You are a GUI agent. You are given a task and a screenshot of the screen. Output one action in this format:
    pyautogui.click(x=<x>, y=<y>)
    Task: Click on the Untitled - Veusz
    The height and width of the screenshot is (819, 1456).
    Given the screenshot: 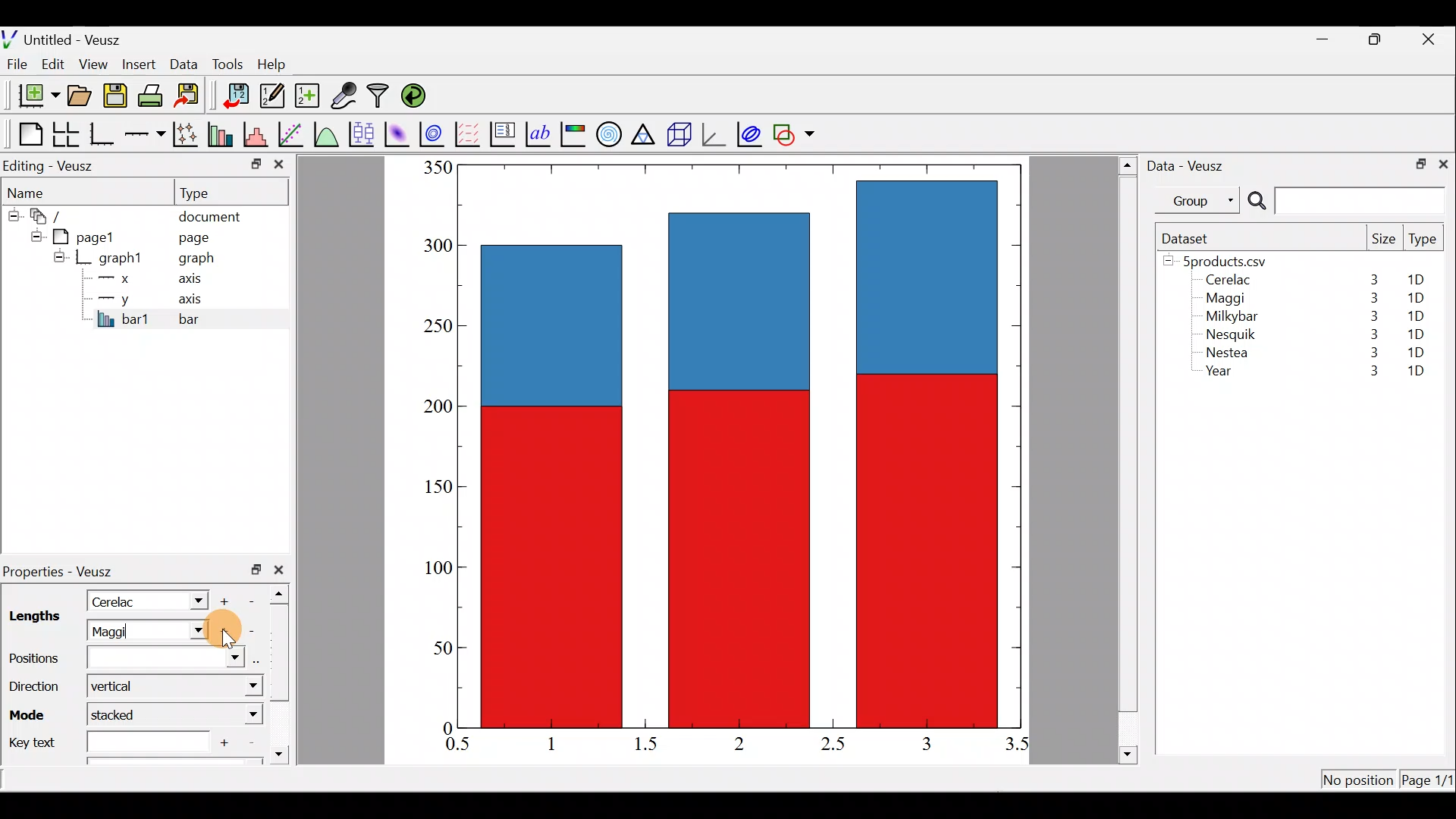 What is the action you would take?
    pyautogui.click(x=67, y=37)
    